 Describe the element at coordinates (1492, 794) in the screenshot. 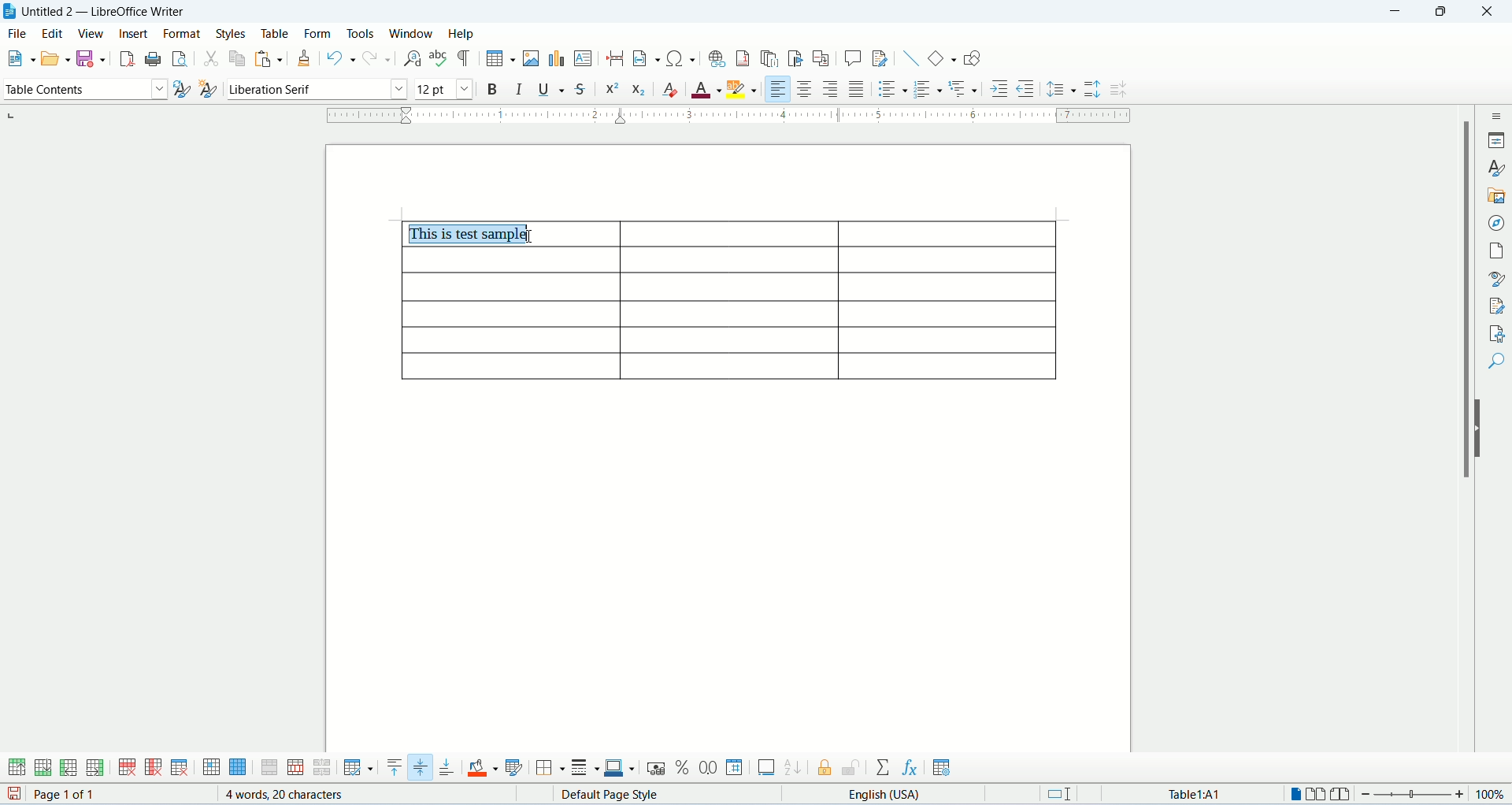

I see `zoom percemt` at that location.